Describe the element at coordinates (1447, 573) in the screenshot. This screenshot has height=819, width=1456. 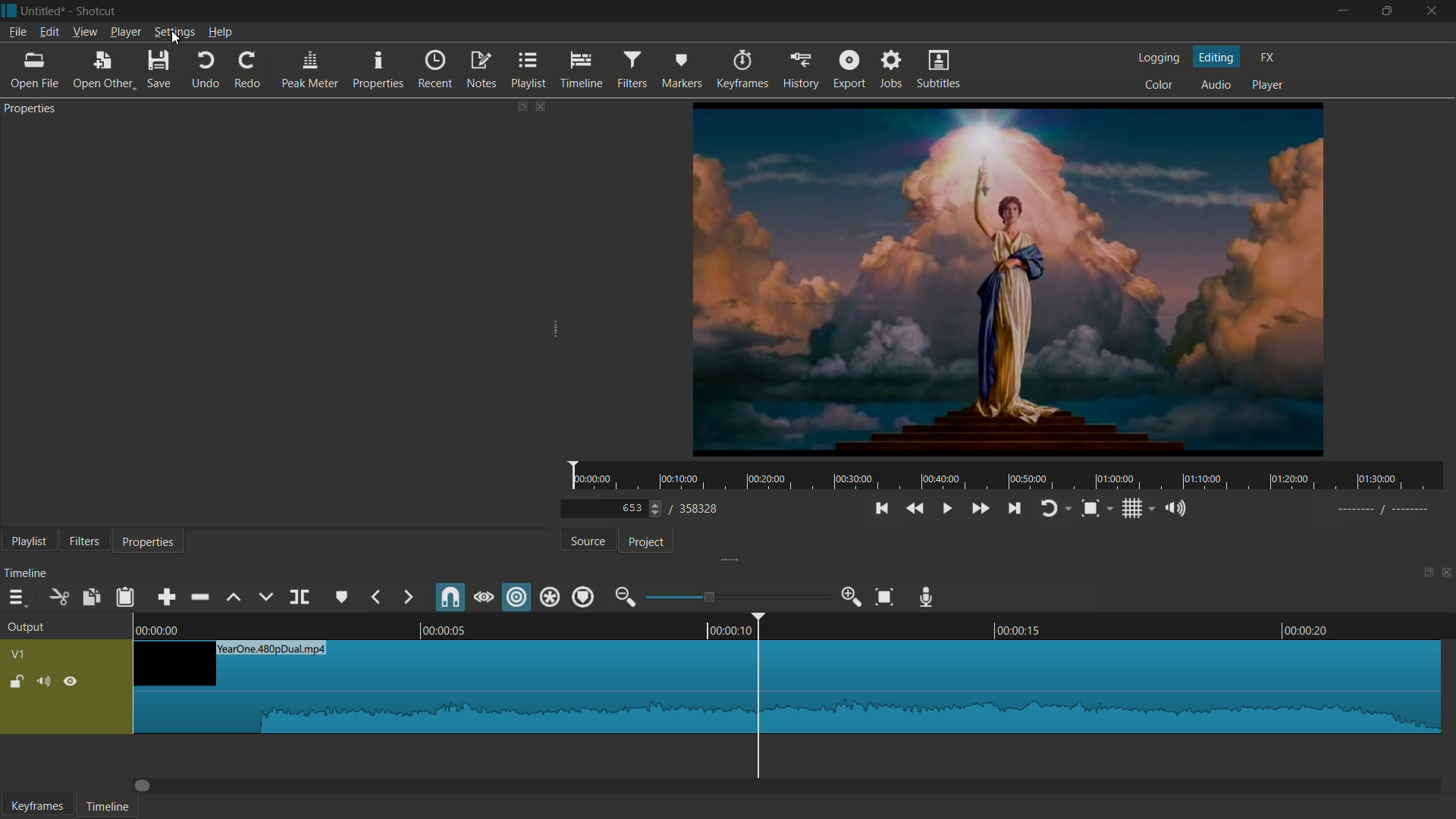
I see `close timeline` at that location.